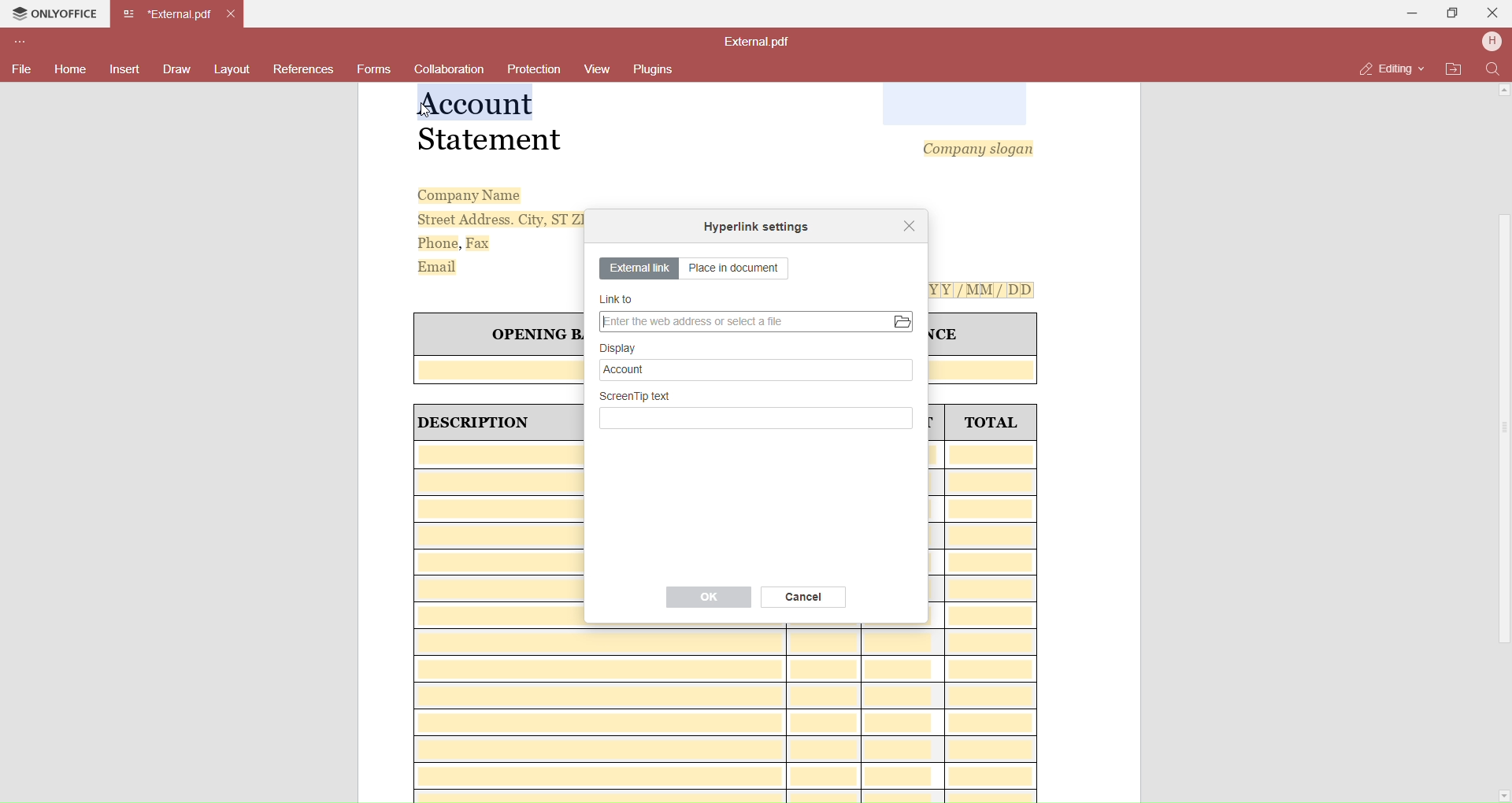  I want to click on cursor, so click(425, 105).